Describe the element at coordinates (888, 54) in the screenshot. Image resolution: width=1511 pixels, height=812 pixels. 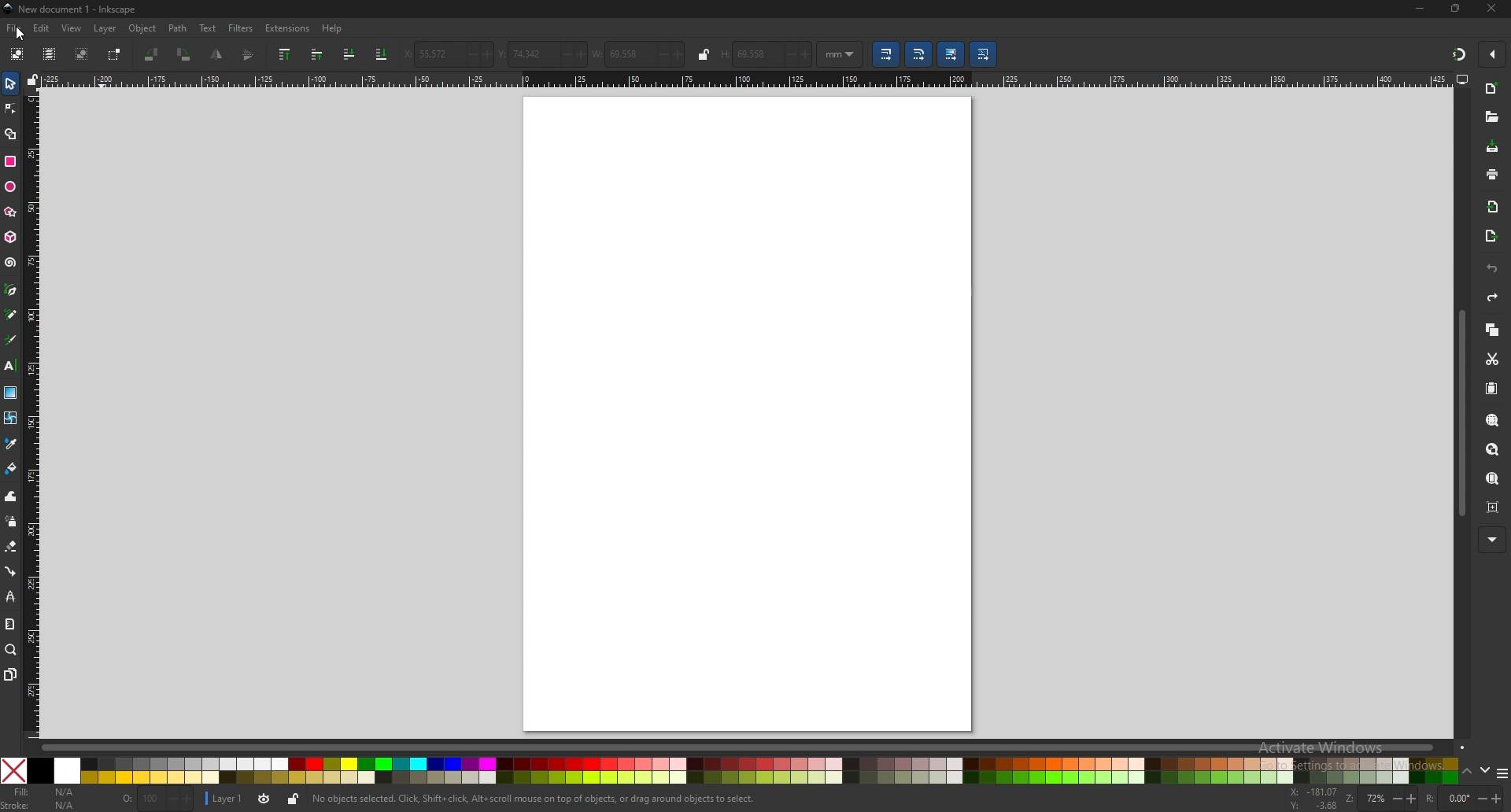
I see `scale stroke` at that location.